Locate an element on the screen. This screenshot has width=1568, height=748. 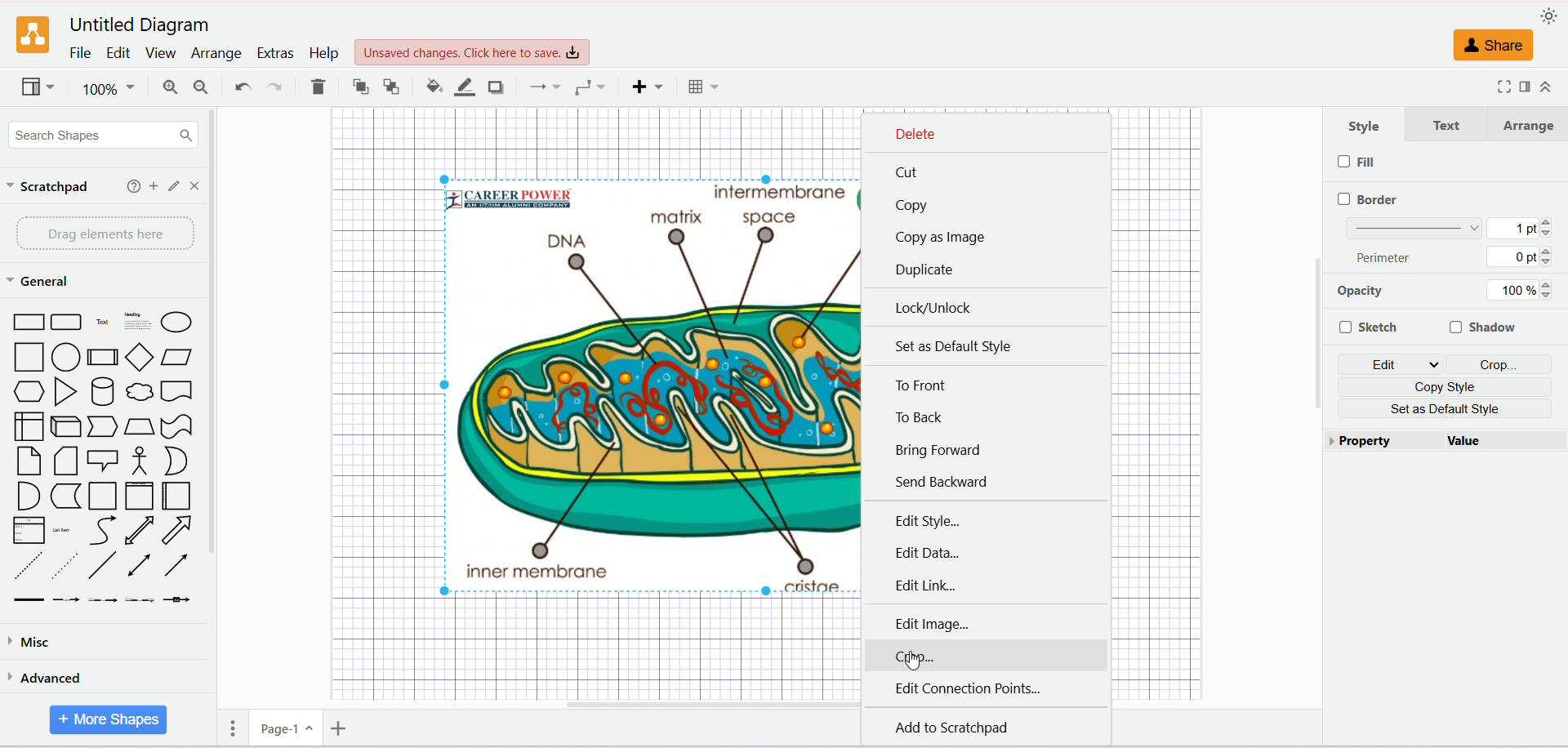
Connector with 2 Labels is located at coordinates (102, 602).